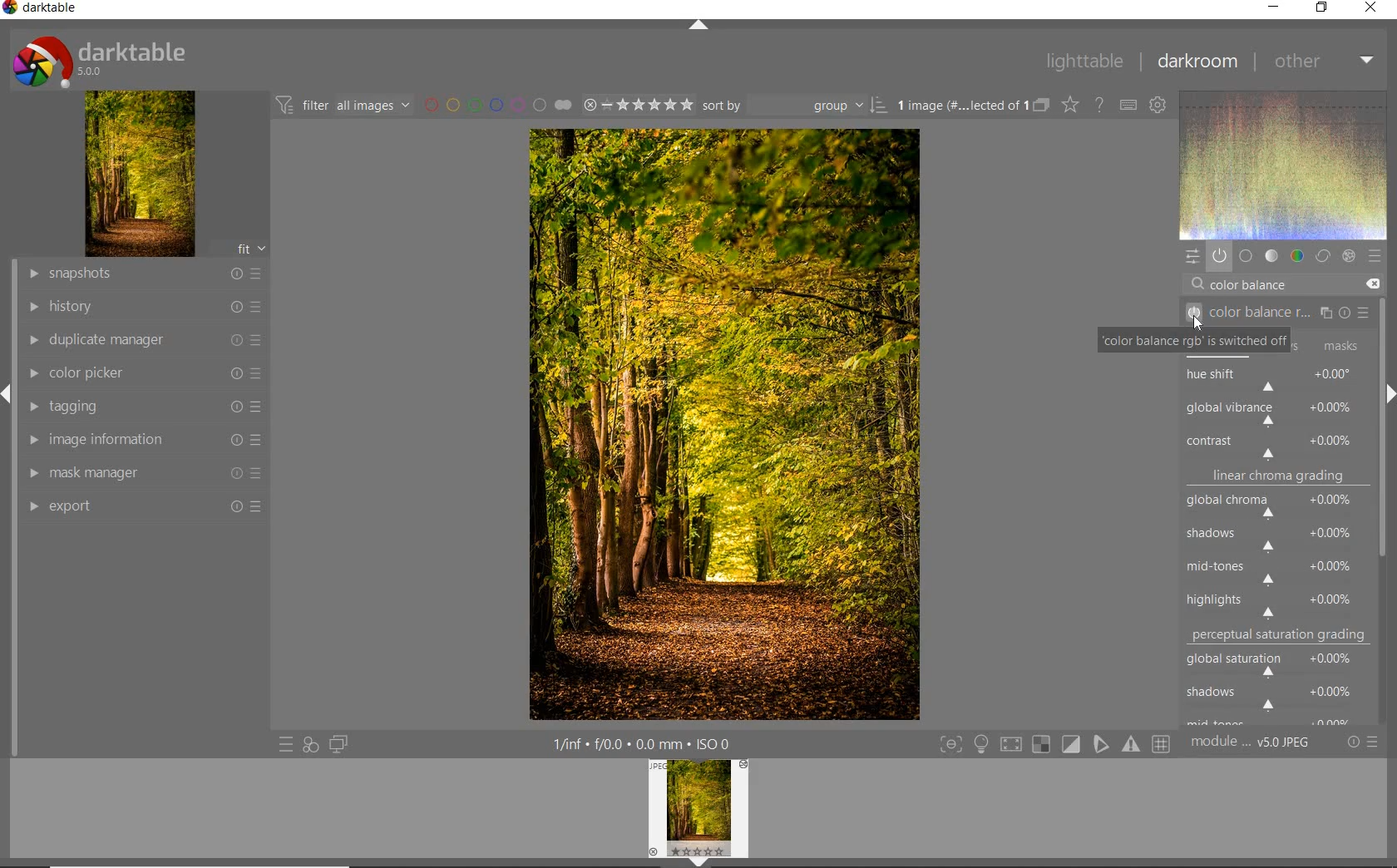  I want to click on quick access for applying any style, so click(311, 745).